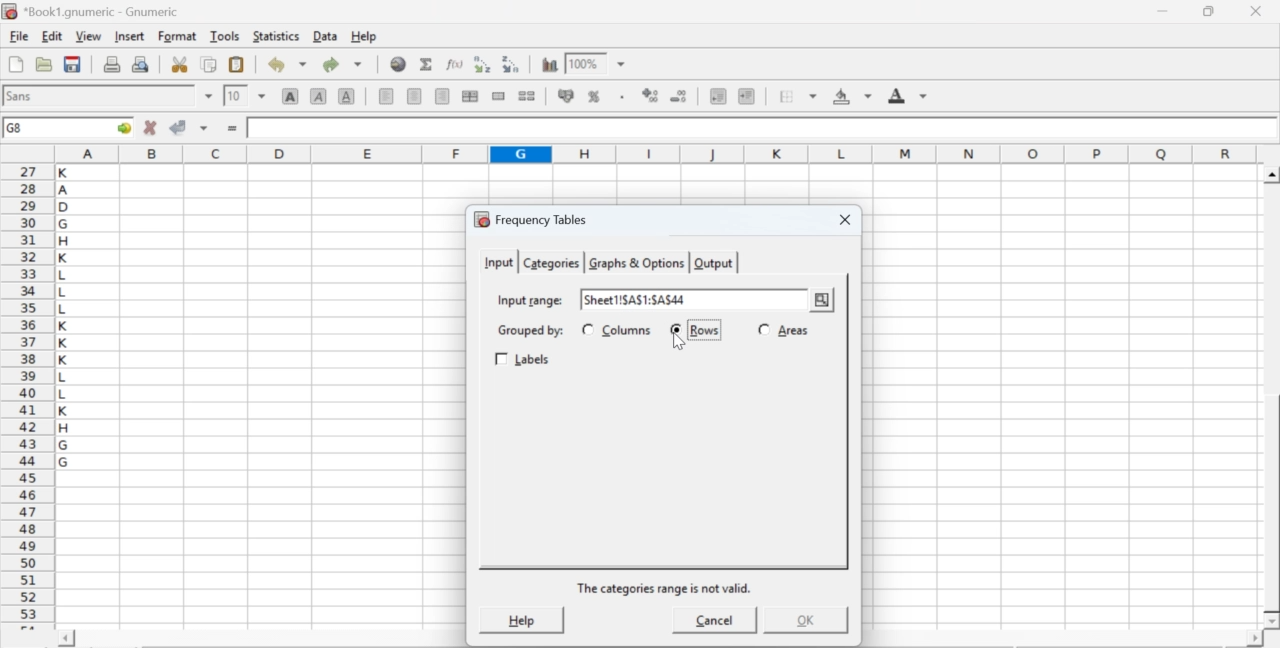 The height and width of the screenshot is (648, 1280). I want to click on 100%, so click(583, 63).